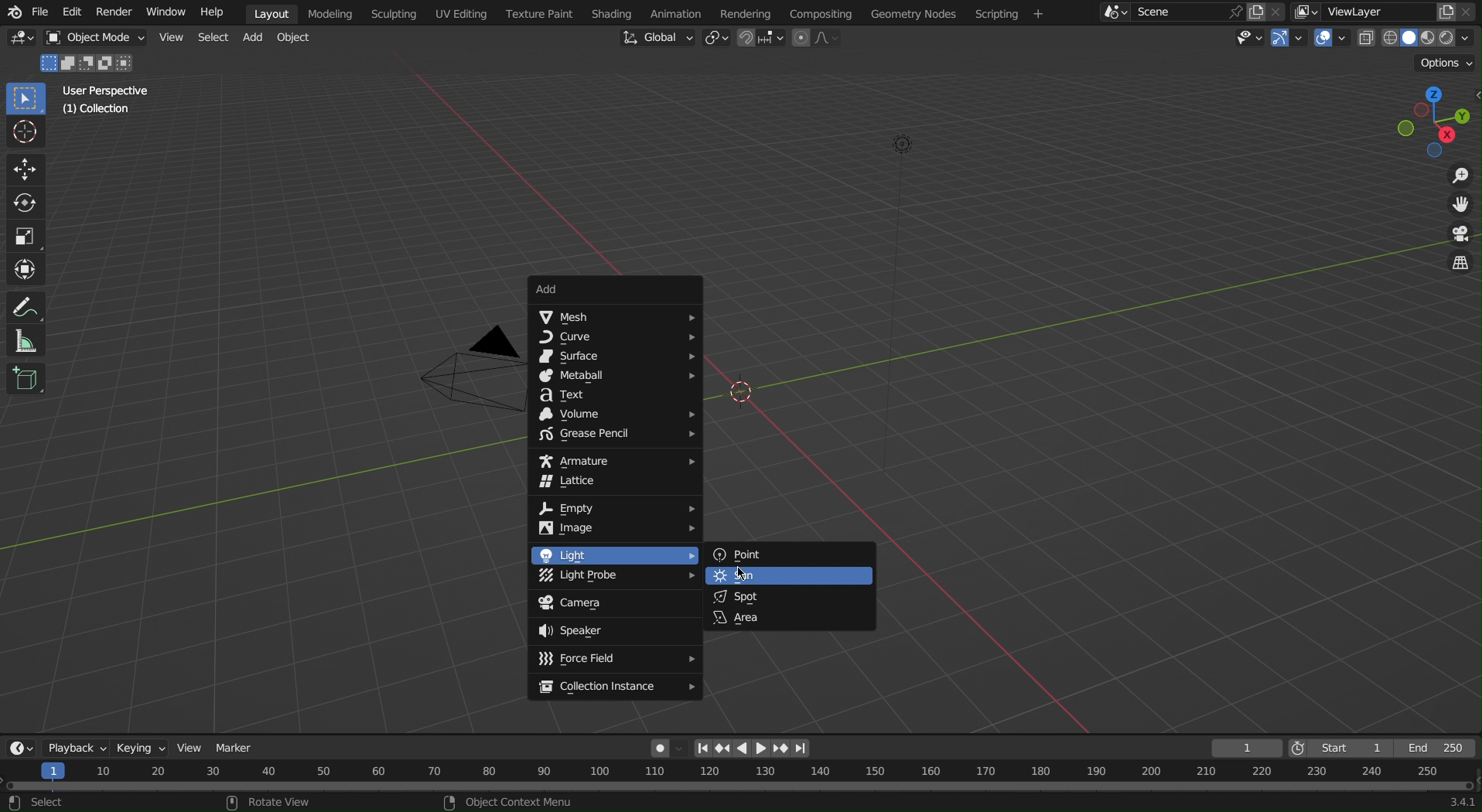 The image size is (1482, 812). I want to click on Spot, so click(790, 595).